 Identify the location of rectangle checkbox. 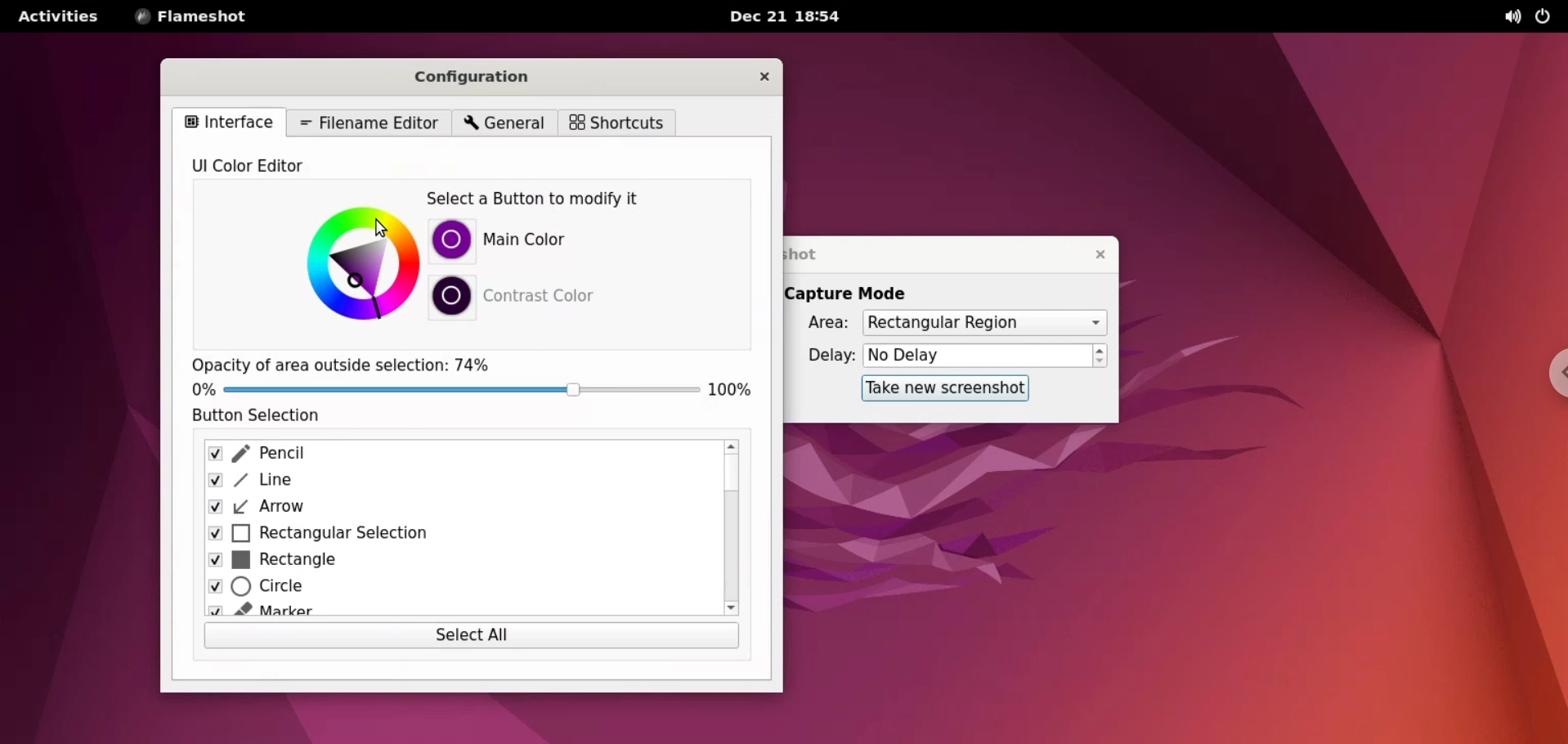
(450, 563).